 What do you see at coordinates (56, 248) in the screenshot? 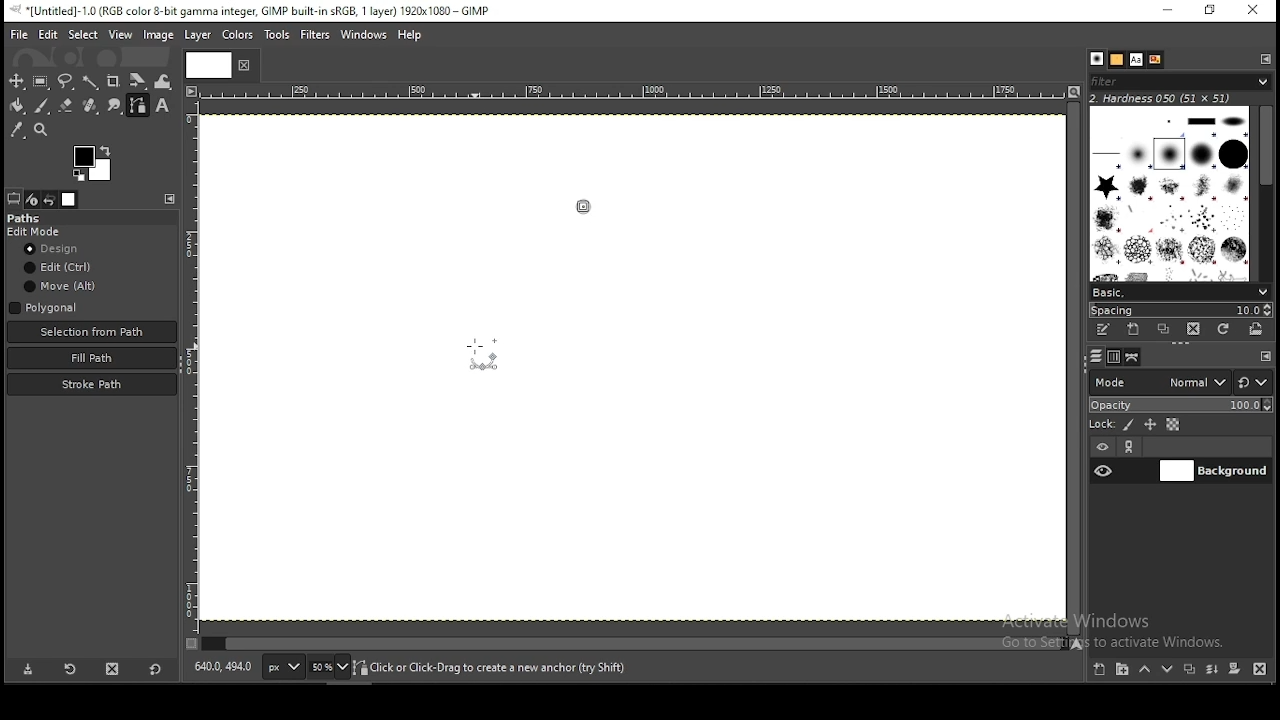
I see `design` at bounding box center [56, 248].